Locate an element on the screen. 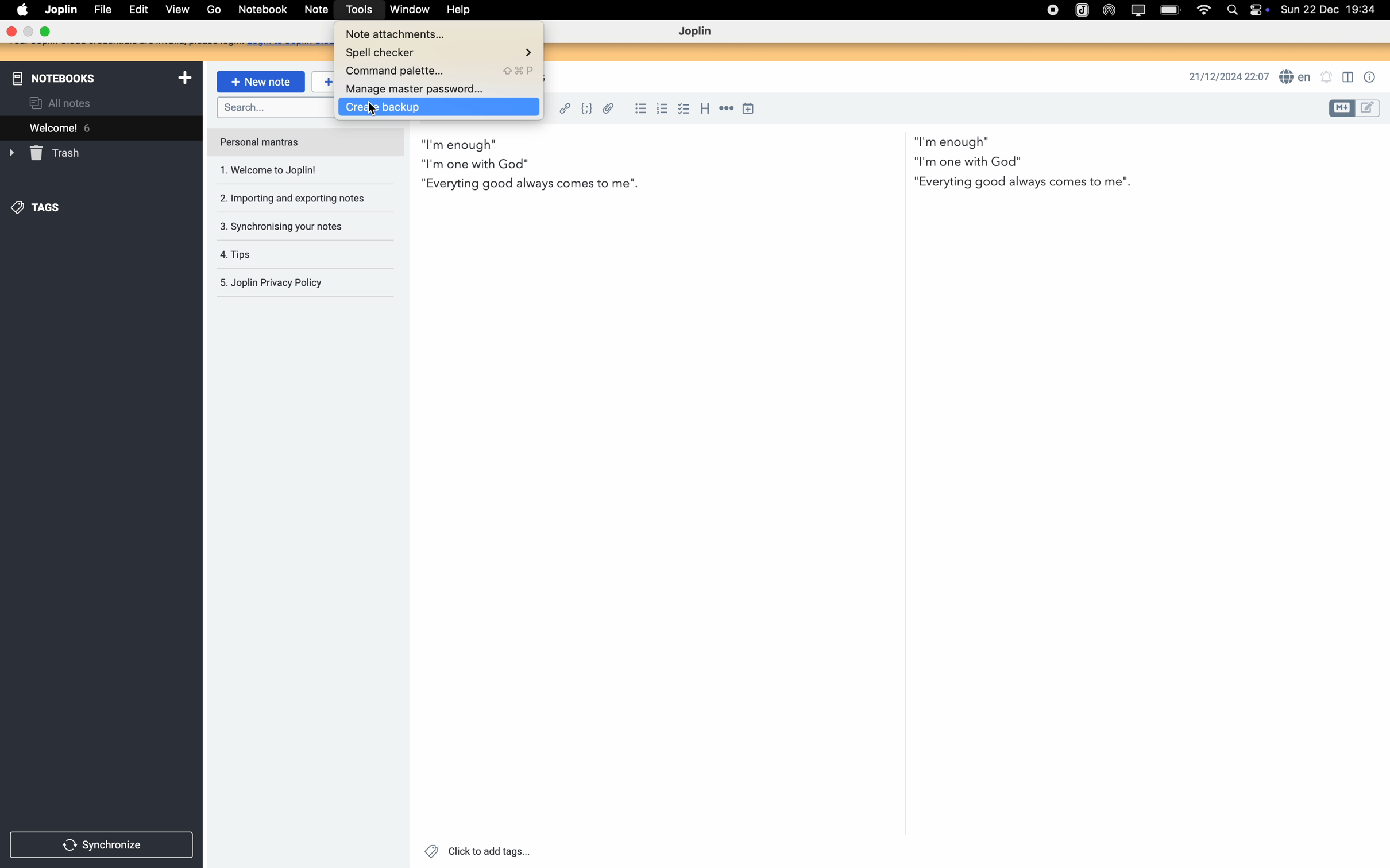  new note is located at coordinates (261, 82).